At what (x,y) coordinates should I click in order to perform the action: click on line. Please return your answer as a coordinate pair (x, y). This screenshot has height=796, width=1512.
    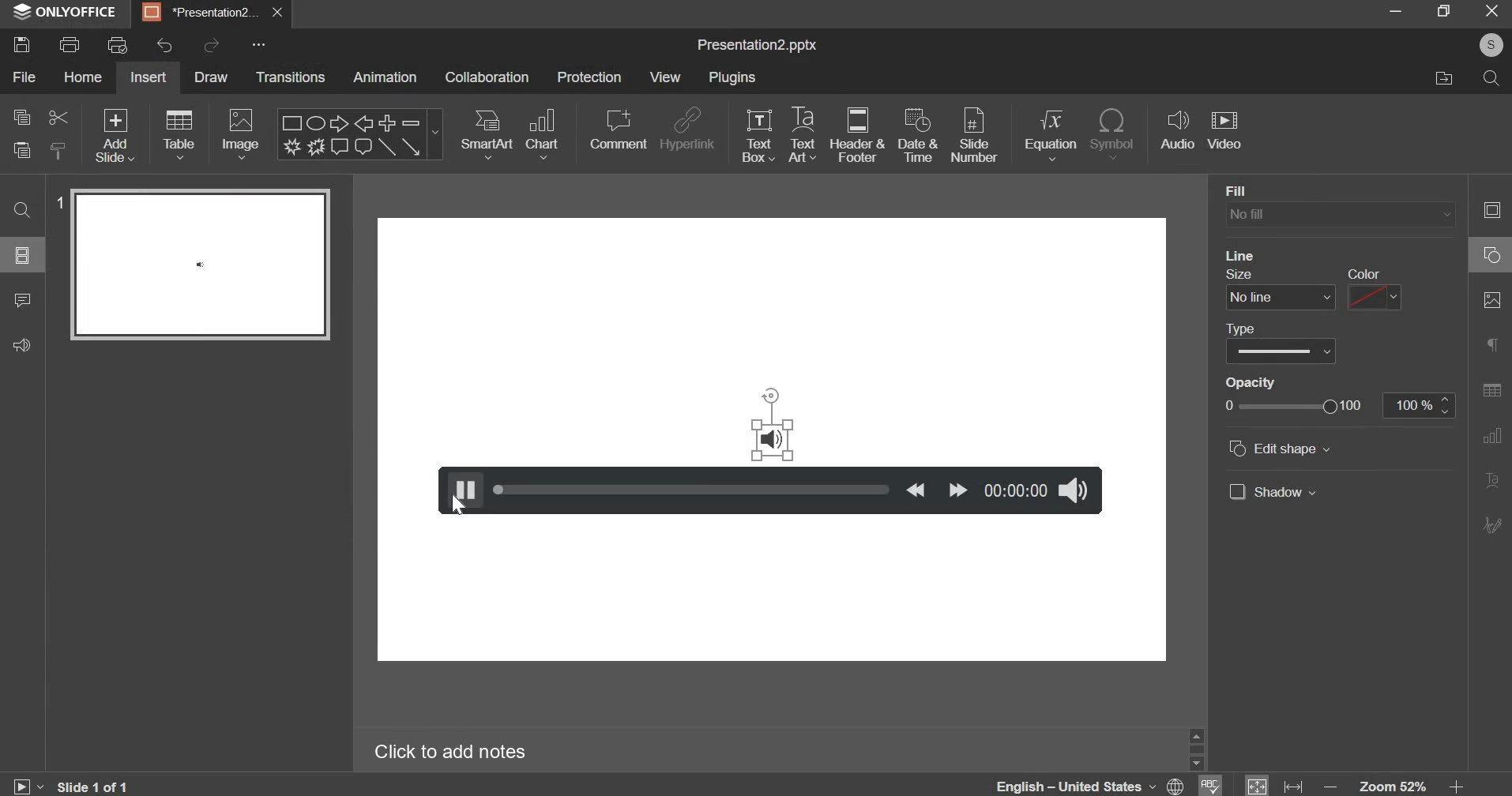
    Looking at the image, I should click on (1241, 255).